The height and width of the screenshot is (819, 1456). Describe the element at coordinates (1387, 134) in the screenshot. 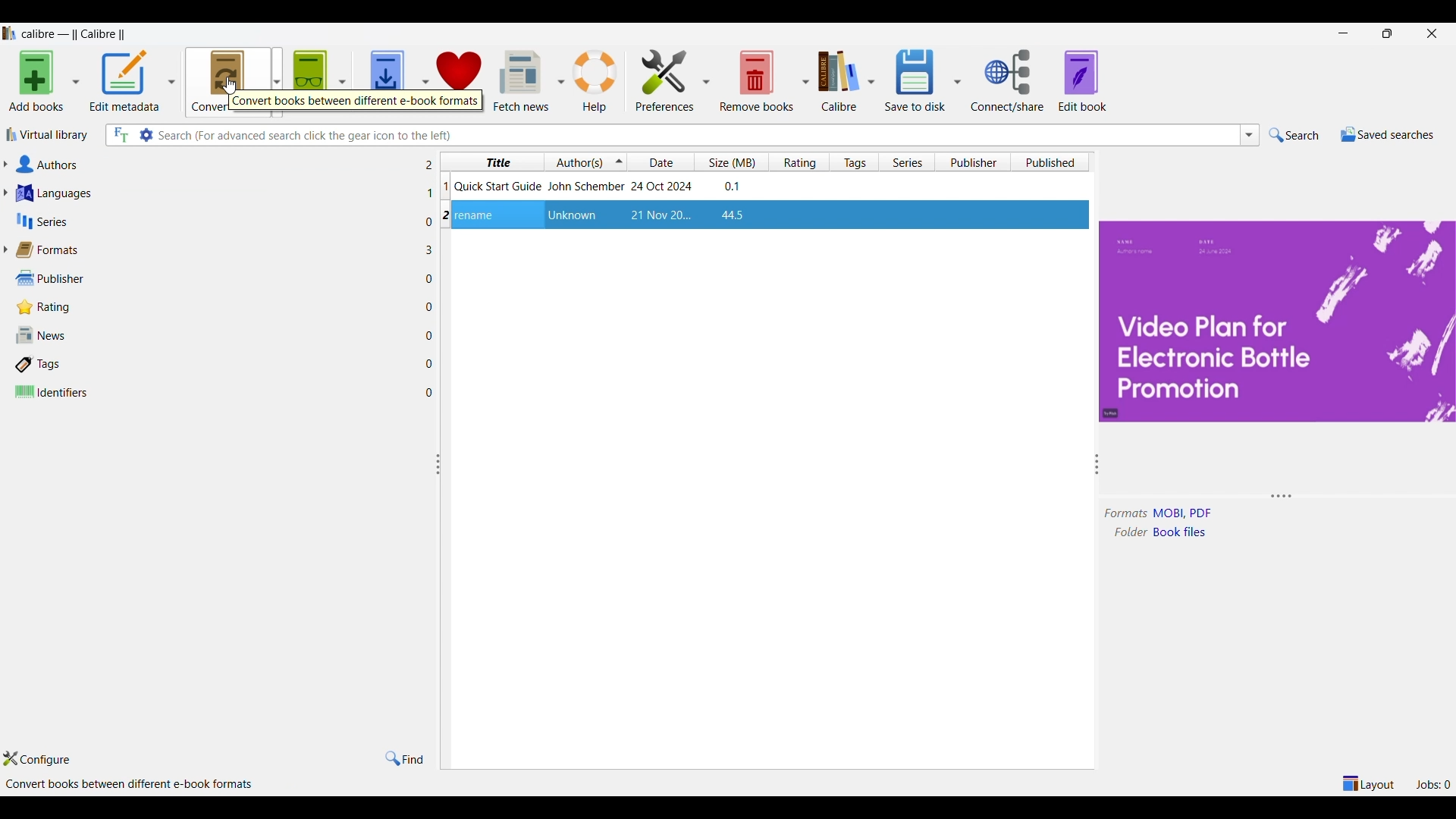

I see `Saved searches` at that location.